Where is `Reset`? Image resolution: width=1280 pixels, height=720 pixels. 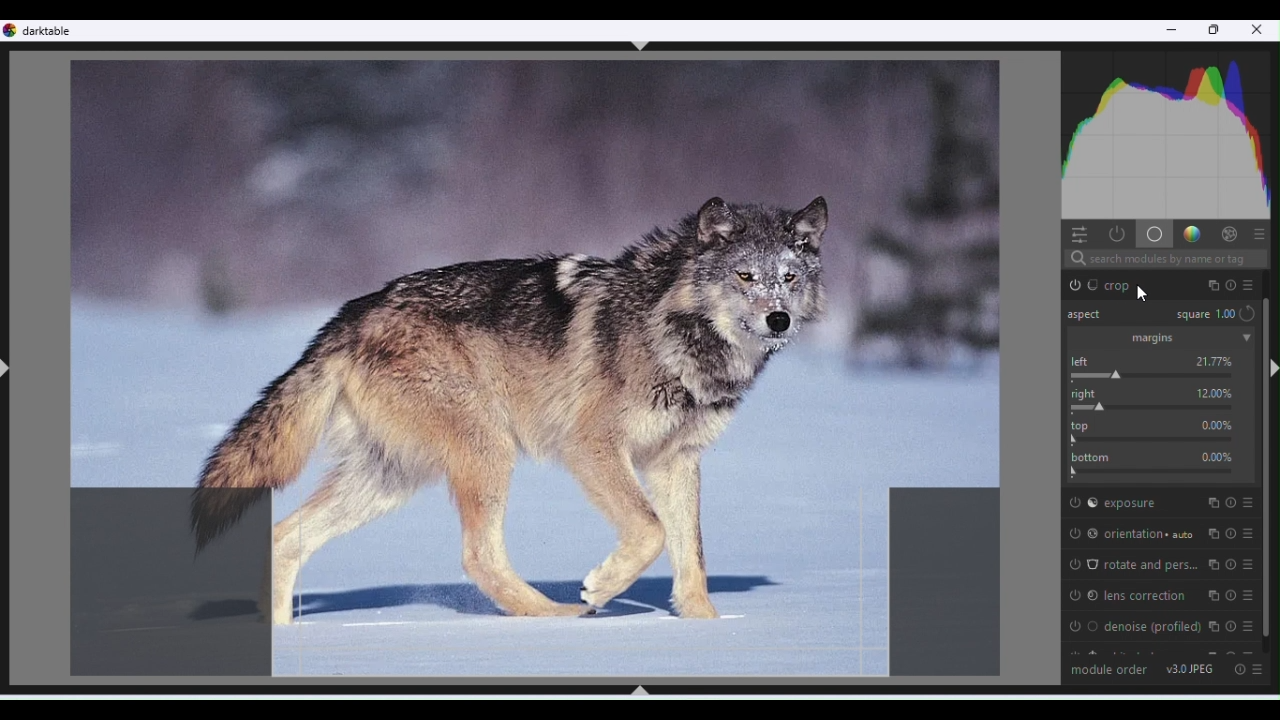 Reset is located at coordinates (1238, 668).